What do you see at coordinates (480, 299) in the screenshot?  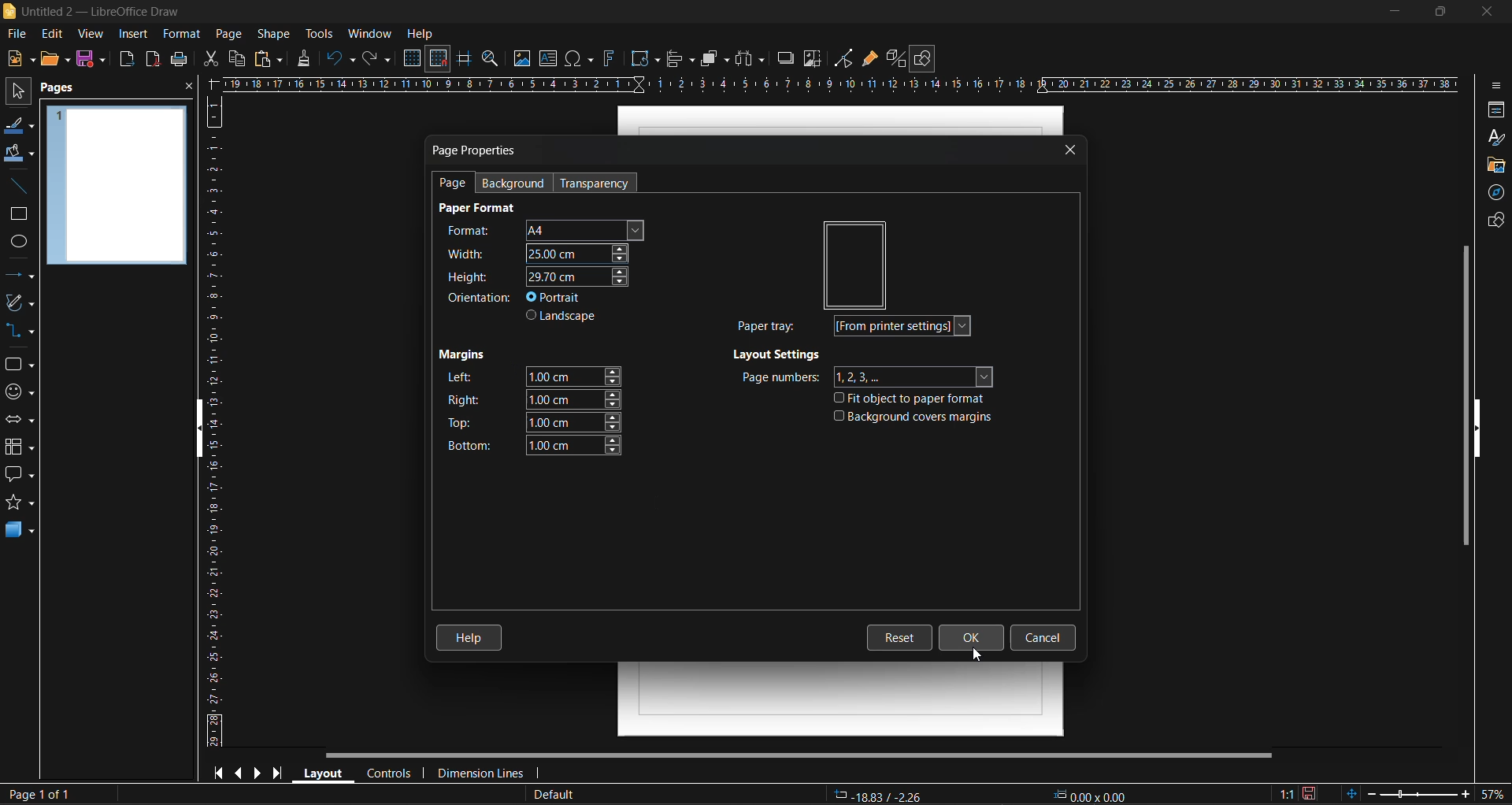 I see `orientation` at bounding box center [480, 299].